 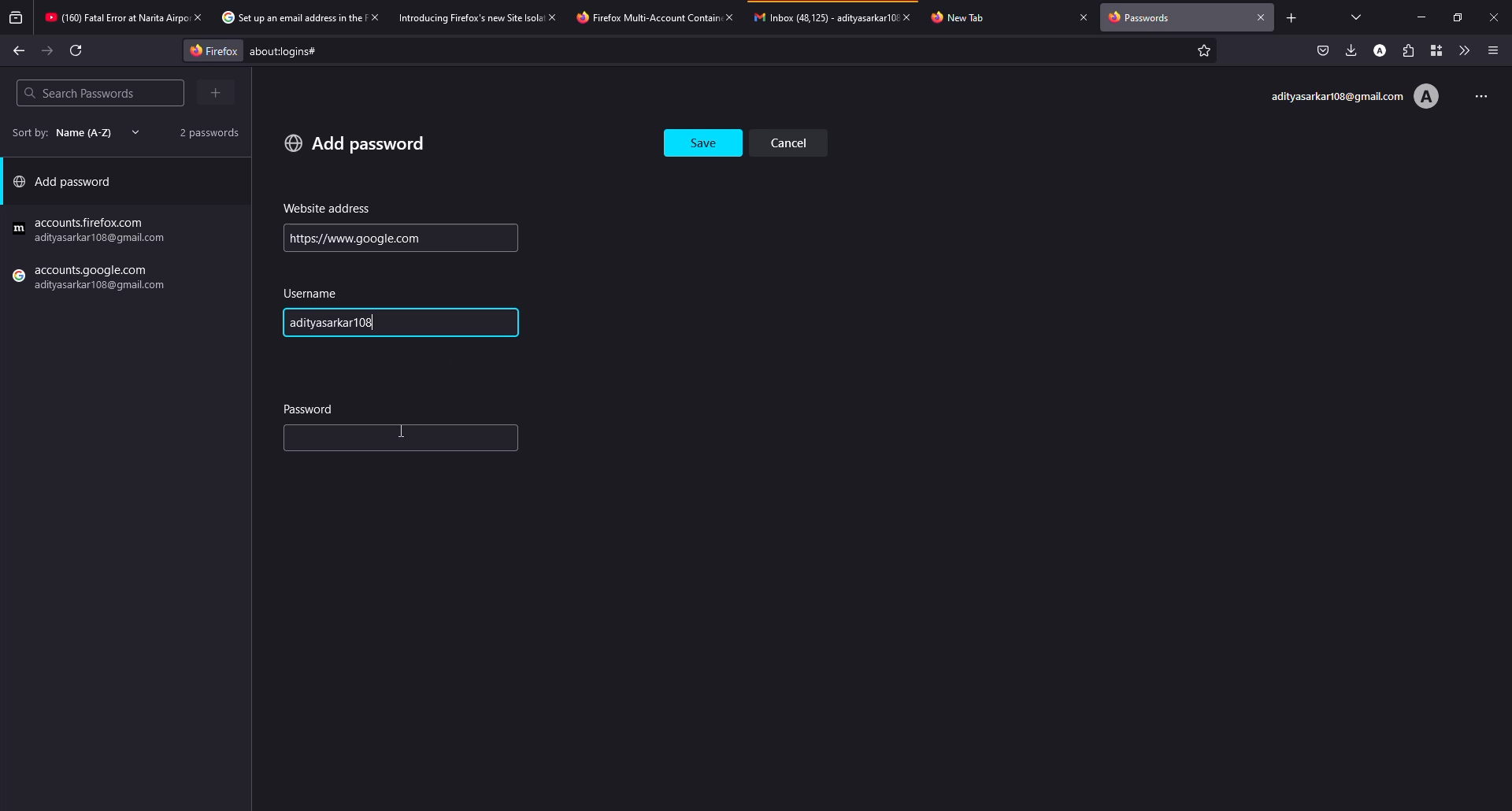 What do you see at coordinates (1084, 17) in the screenshot?
I see `close` at bounding box center [1084, 17].